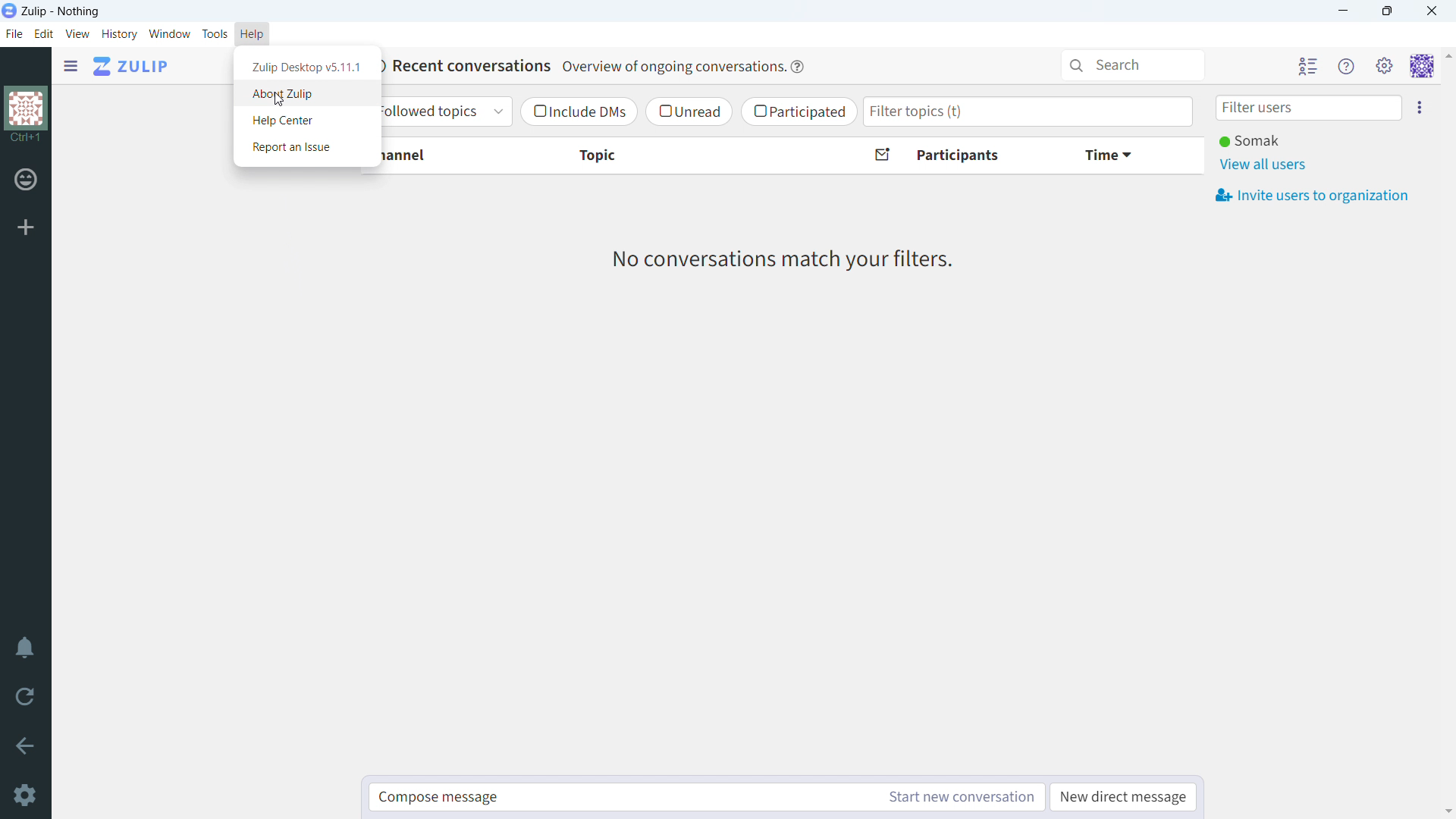 The width and height of the screenshot is (1456, 819). I want to click on report an issue, so click(297, 147).